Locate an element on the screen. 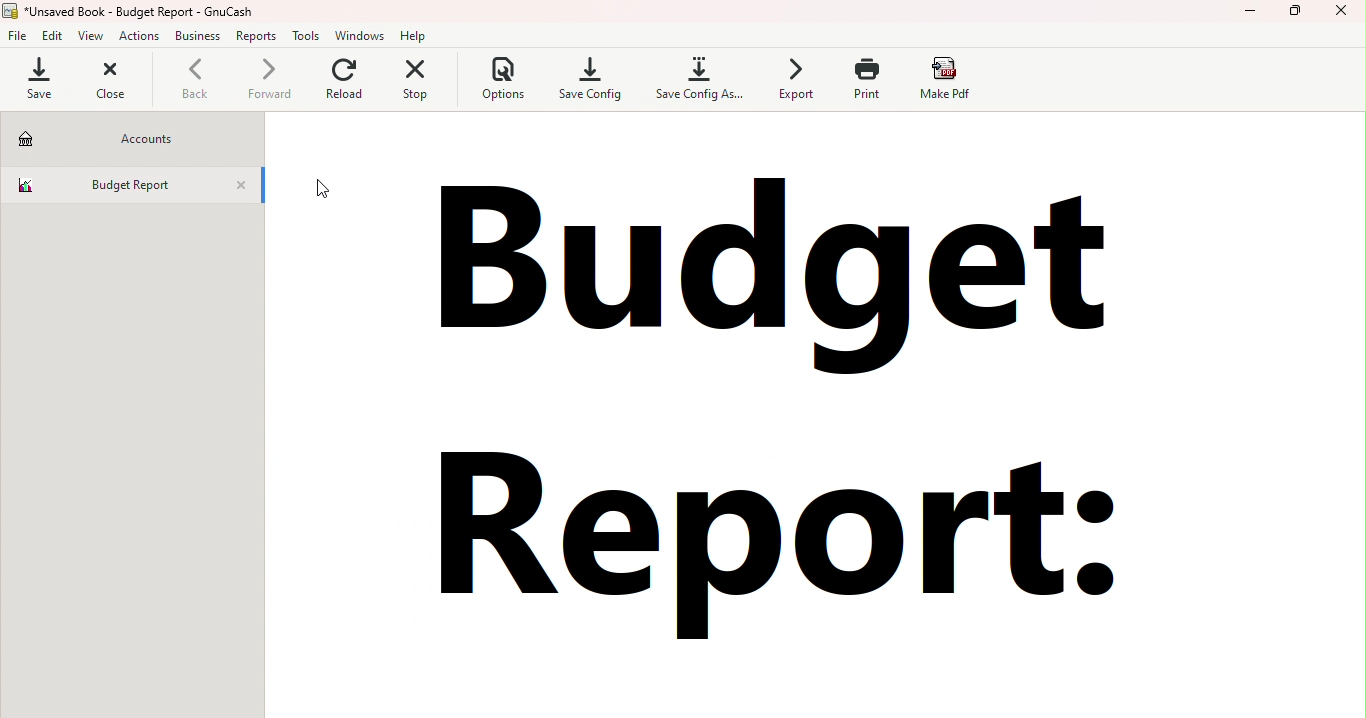 This screenshot has width=1366, height=718. Stop is located at coordinates (419, 82).